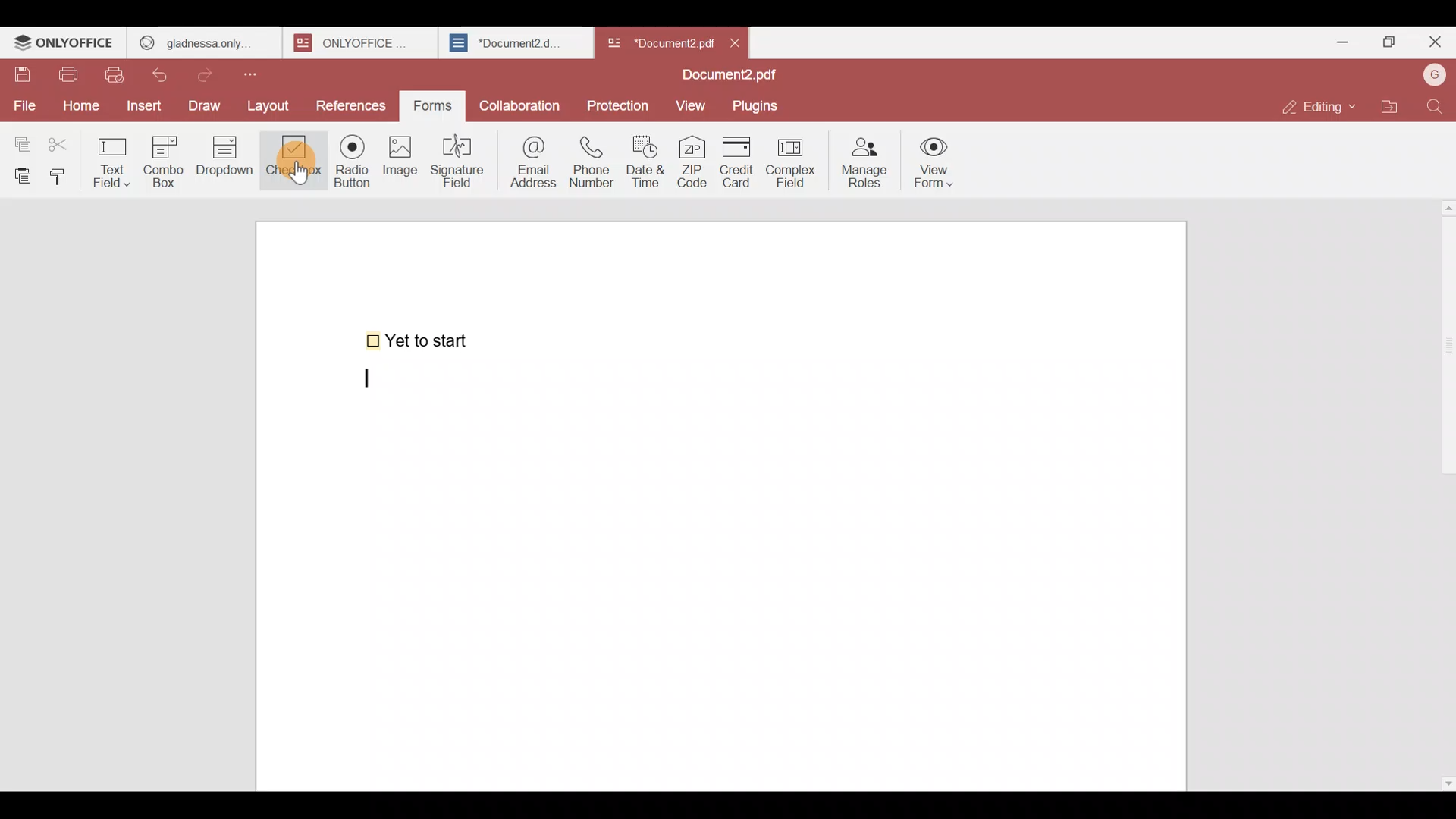  Describe the element at coordinates (864, 158) in the screenshot. I see `Manage roles` at that location.